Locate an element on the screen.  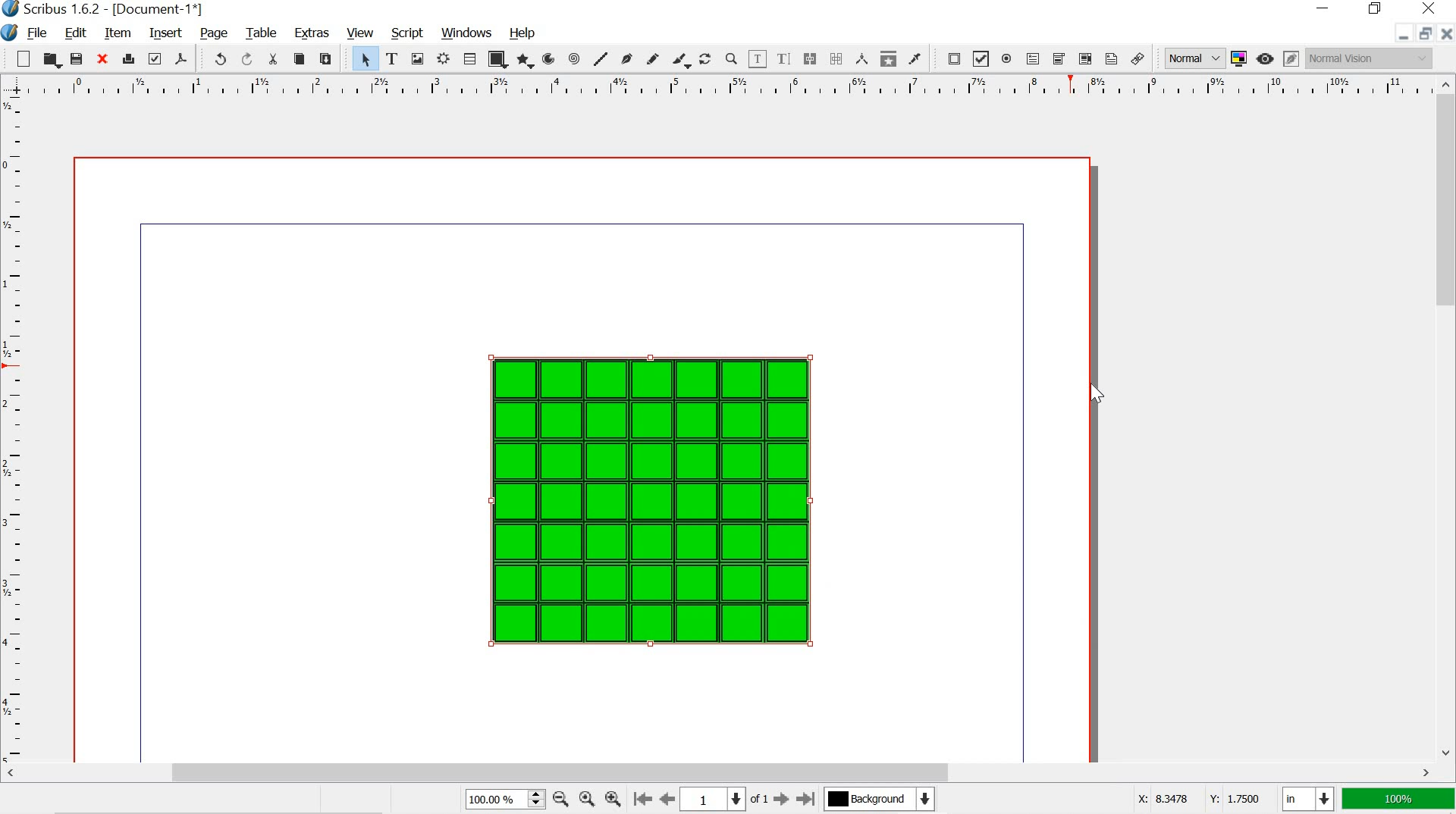
save is located at coordinates (77, 58).